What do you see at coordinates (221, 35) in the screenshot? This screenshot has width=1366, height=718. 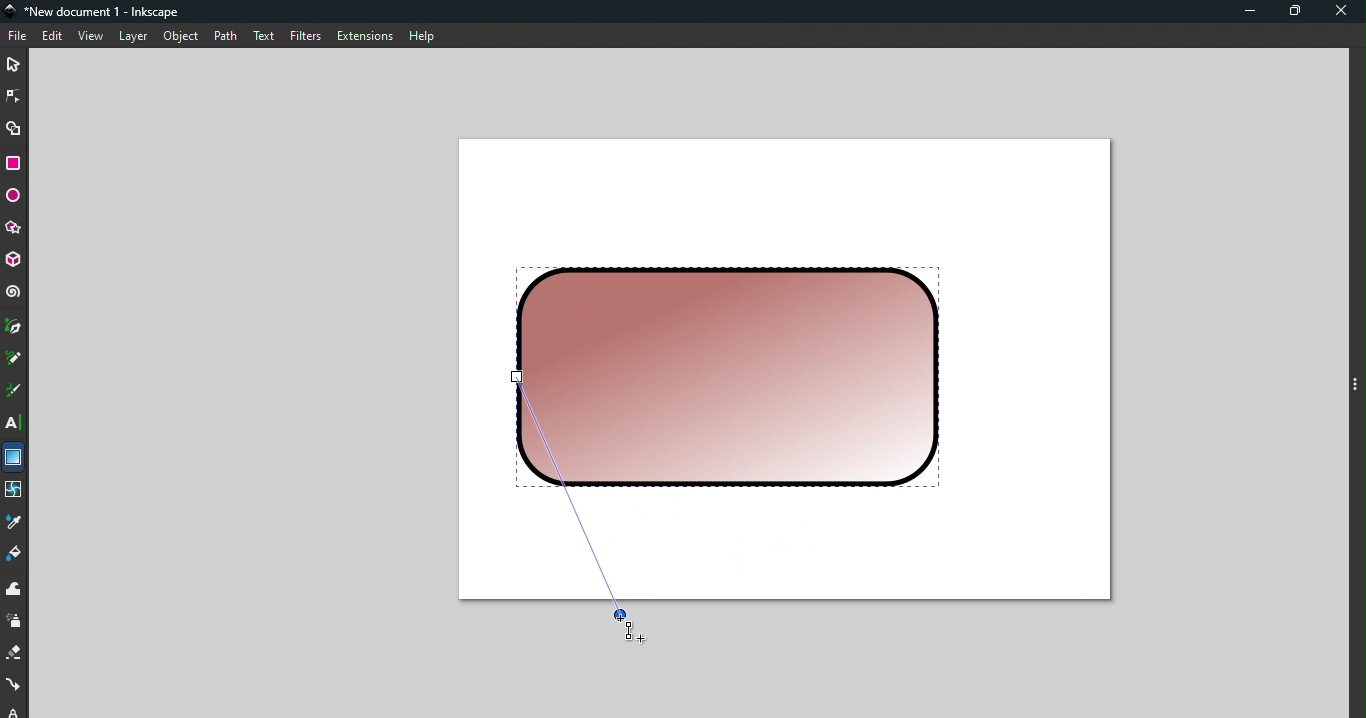 I see `Path` at bounding box center [221, 35].